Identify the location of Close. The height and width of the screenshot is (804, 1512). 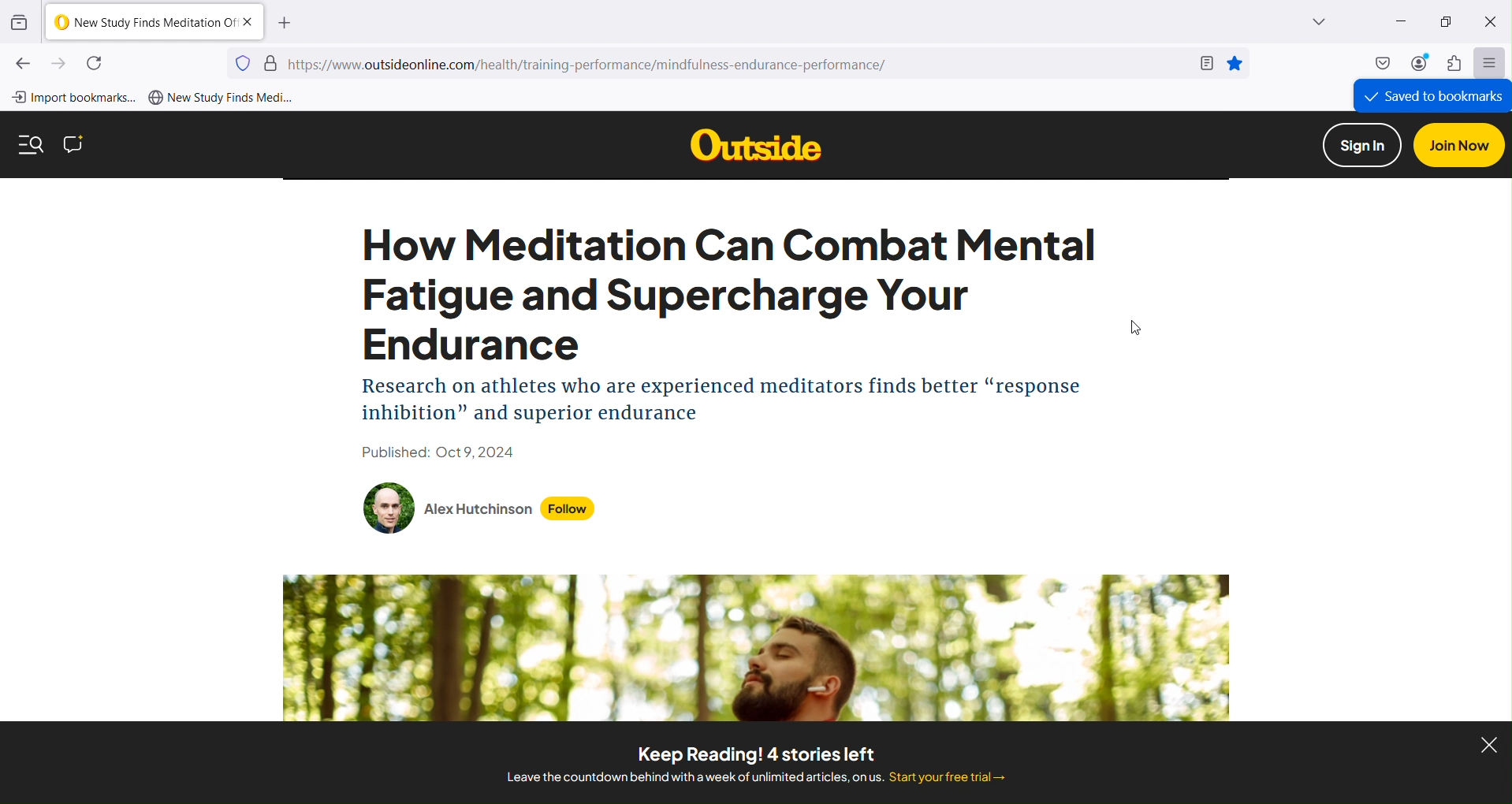
(1492, 24).